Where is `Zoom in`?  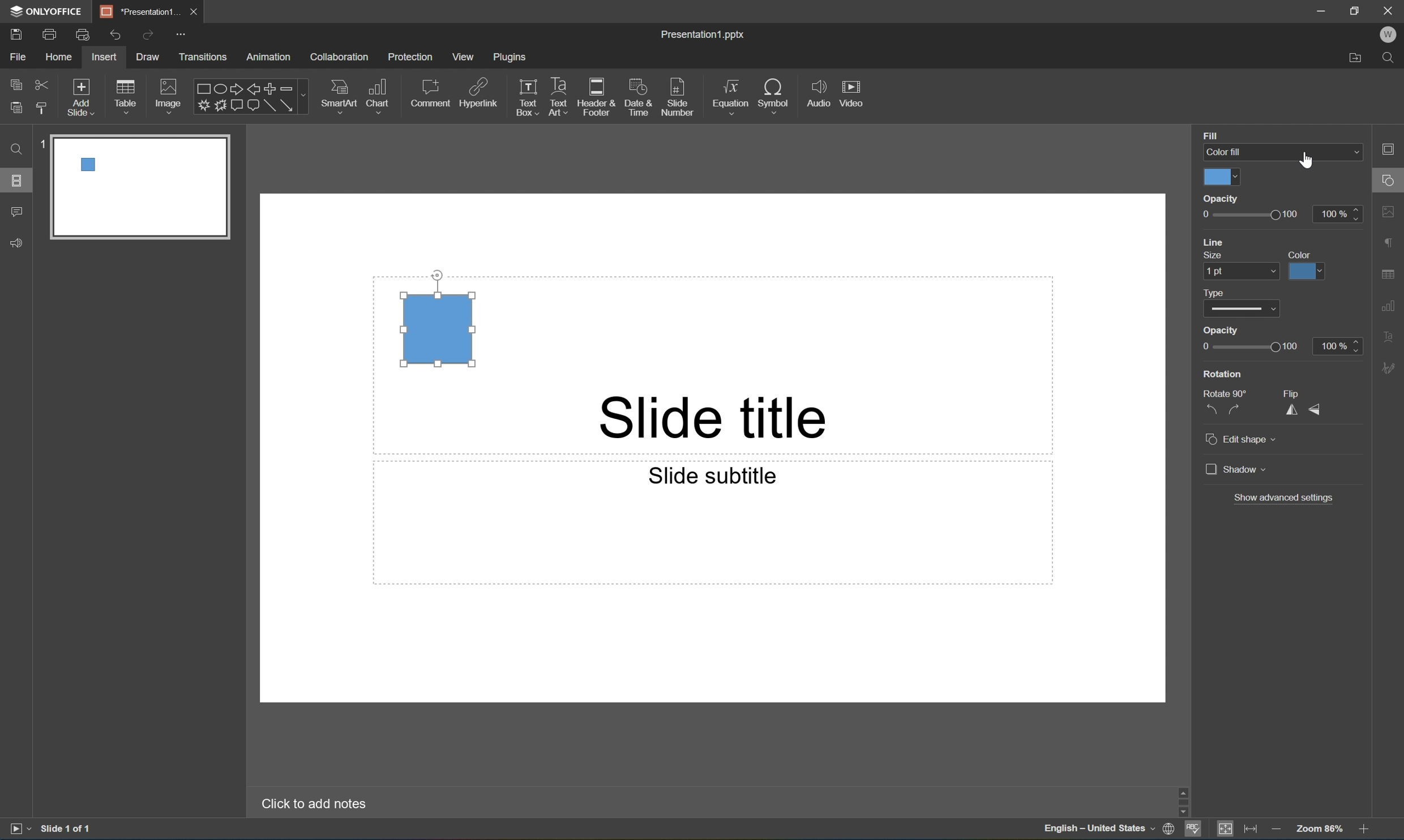
Zoom in is located at coordinates (1367, 829).